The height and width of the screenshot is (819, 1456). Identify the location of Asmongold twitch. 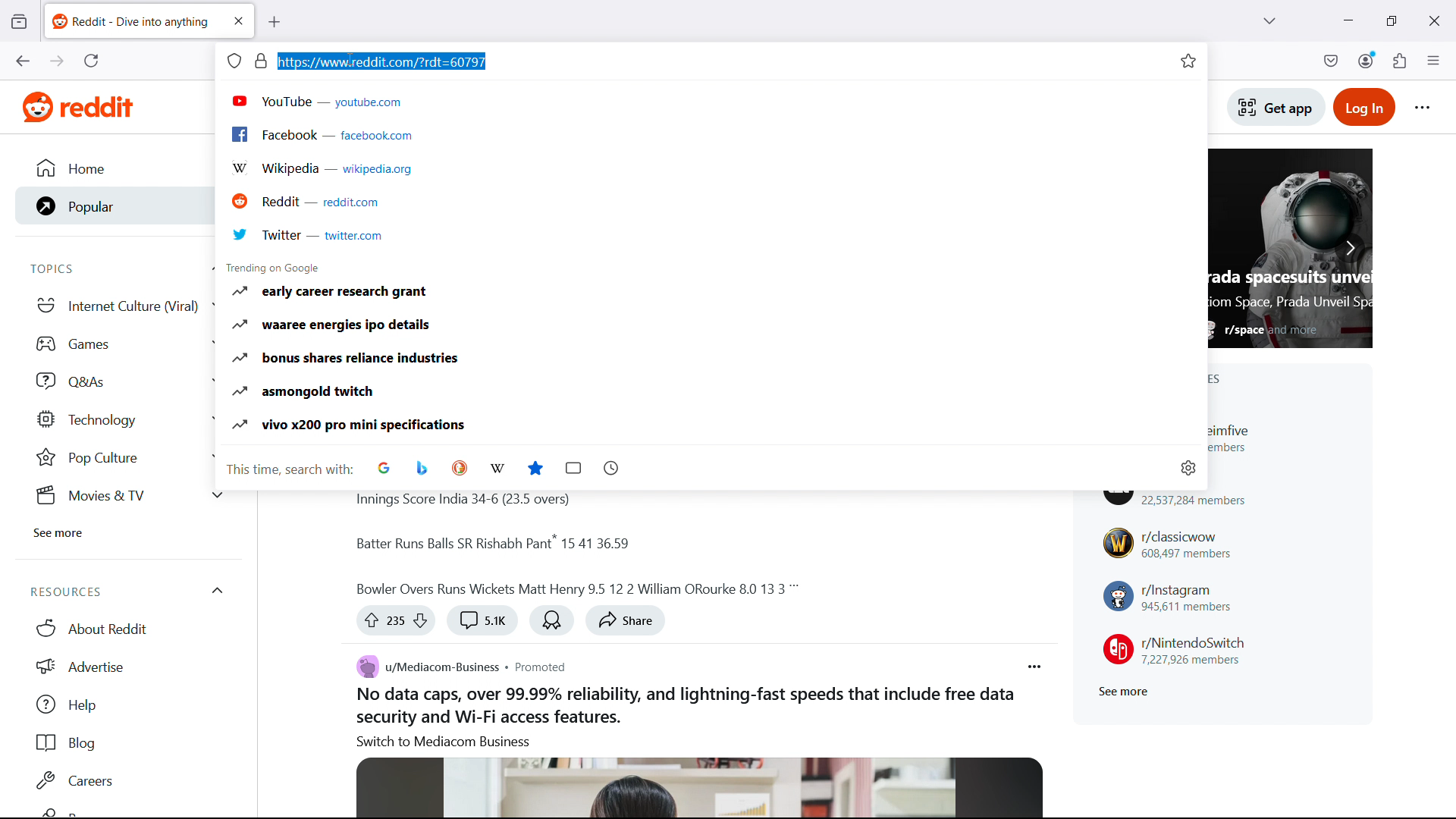
(713, 393).